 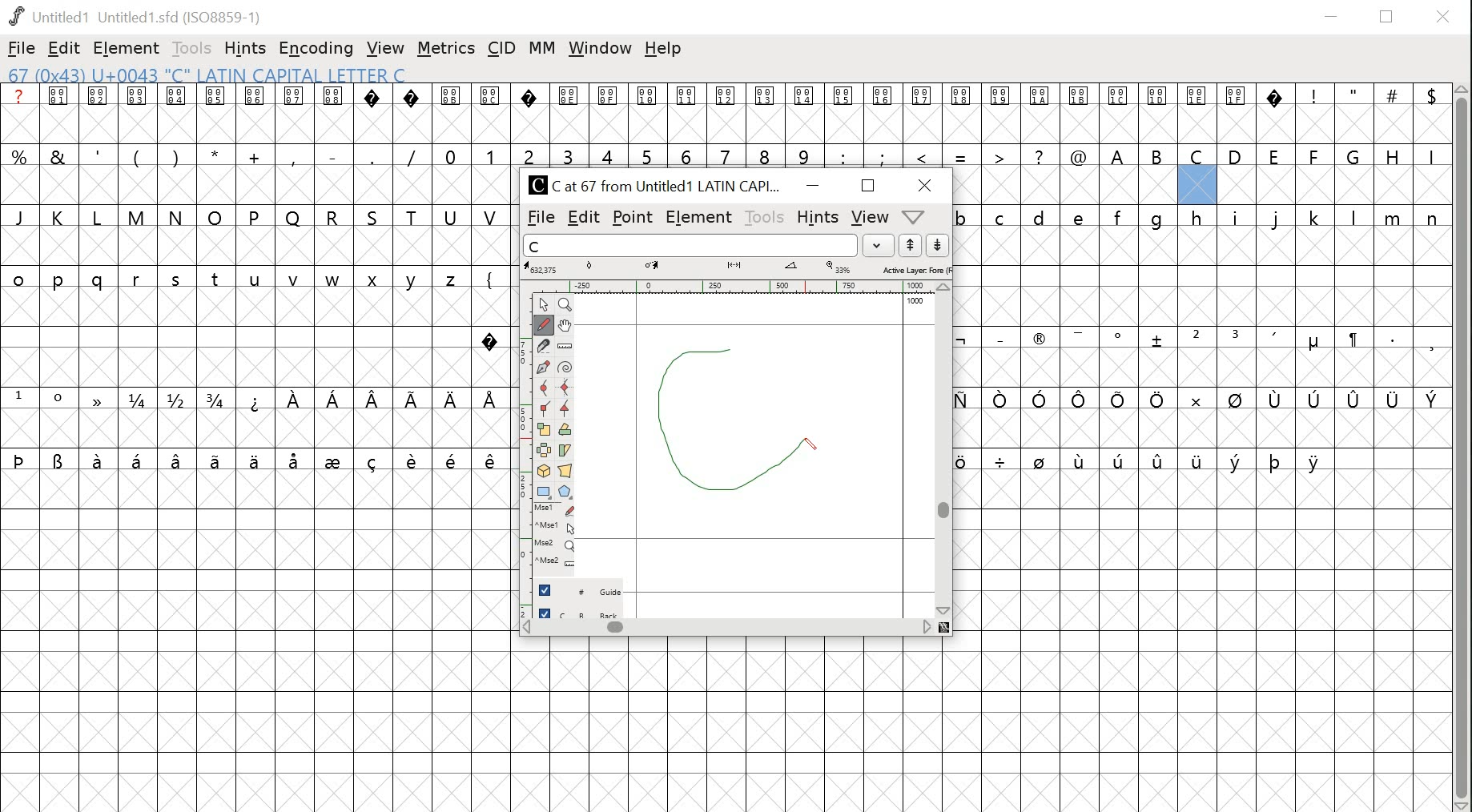 I want to click on tools, so click(x=766, y=215).